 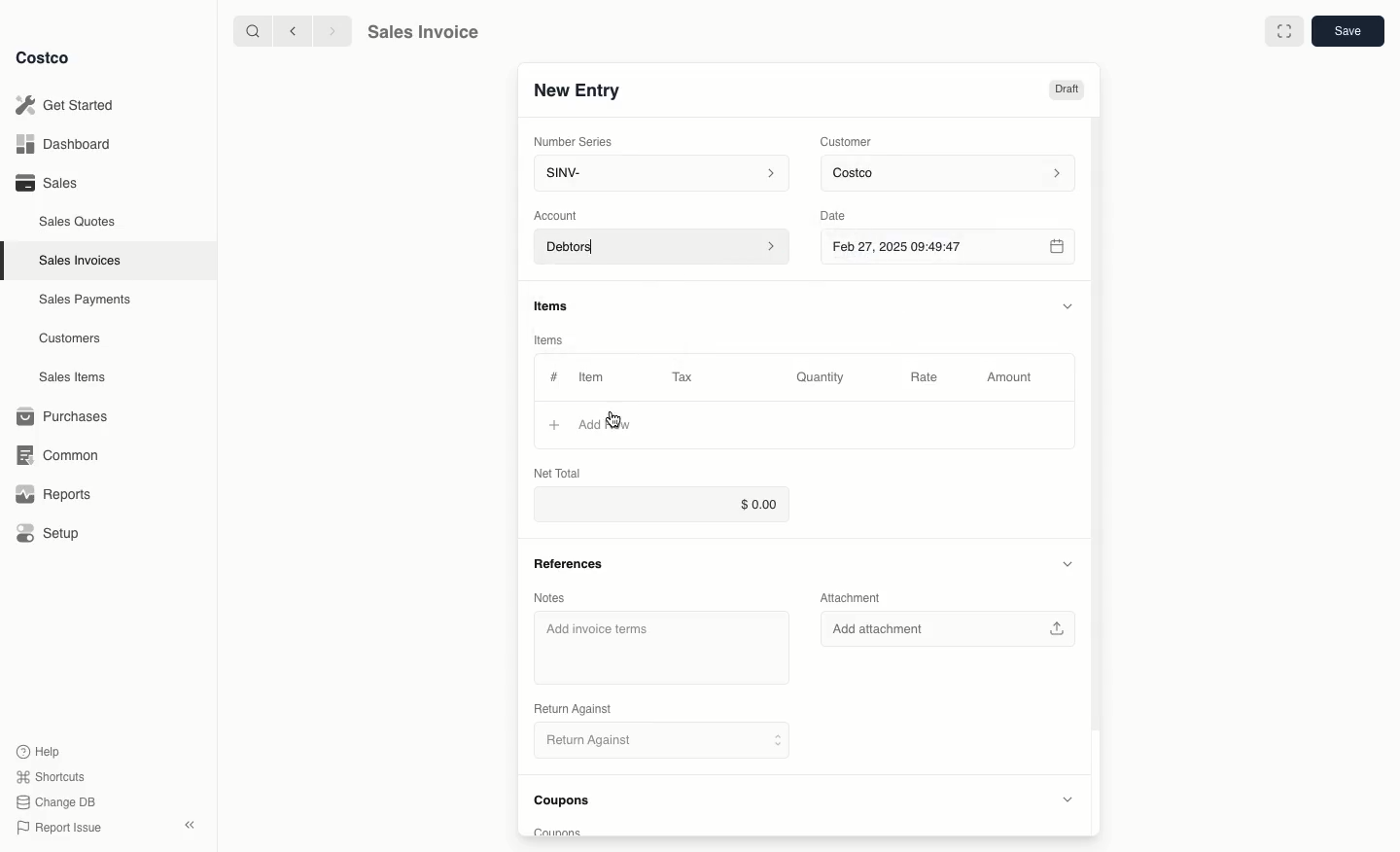 I want to click on Number Series, so click(x=575, y=140).